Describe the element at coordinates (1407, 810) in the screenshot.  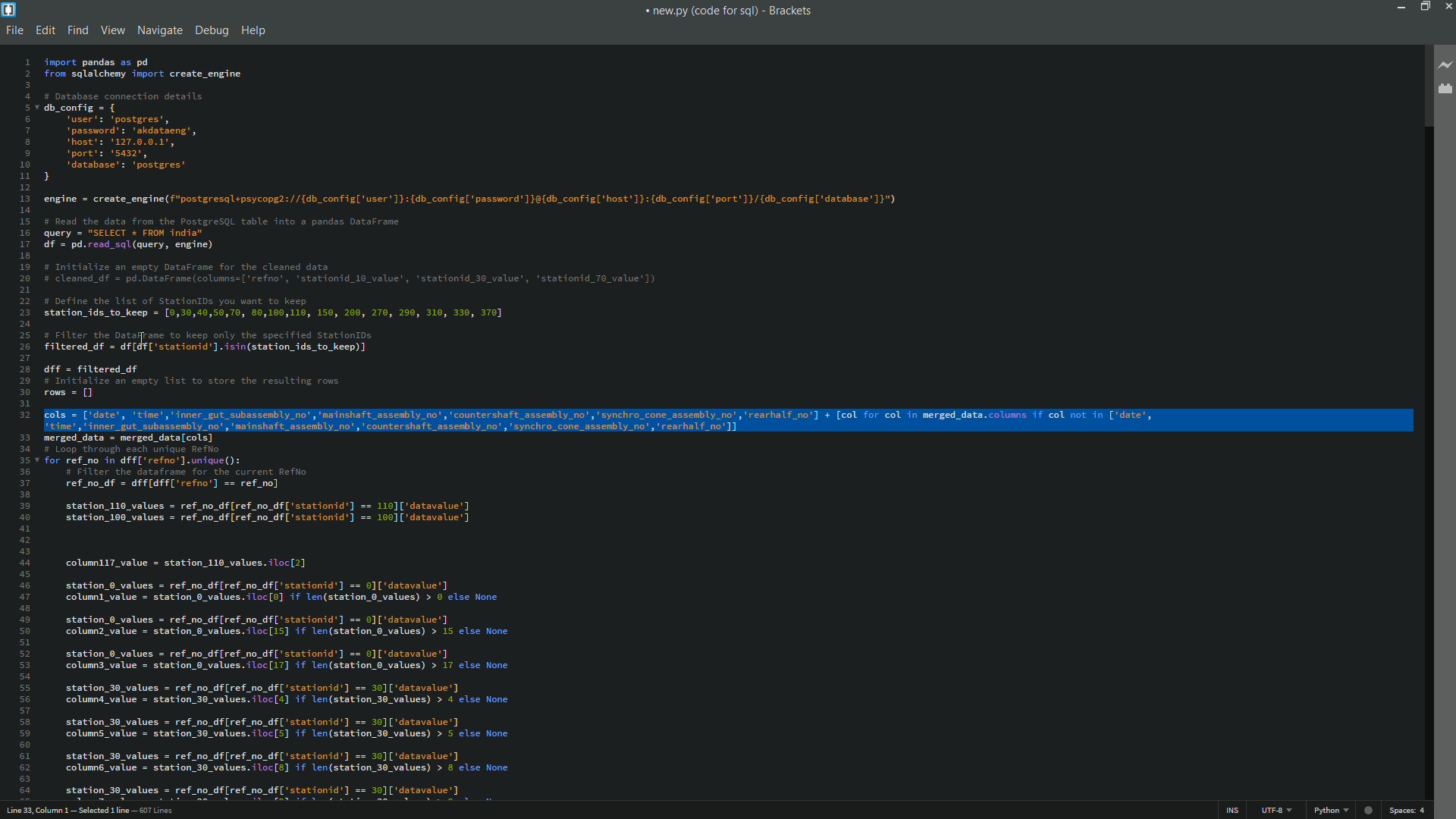
I see `spaces` at that location.